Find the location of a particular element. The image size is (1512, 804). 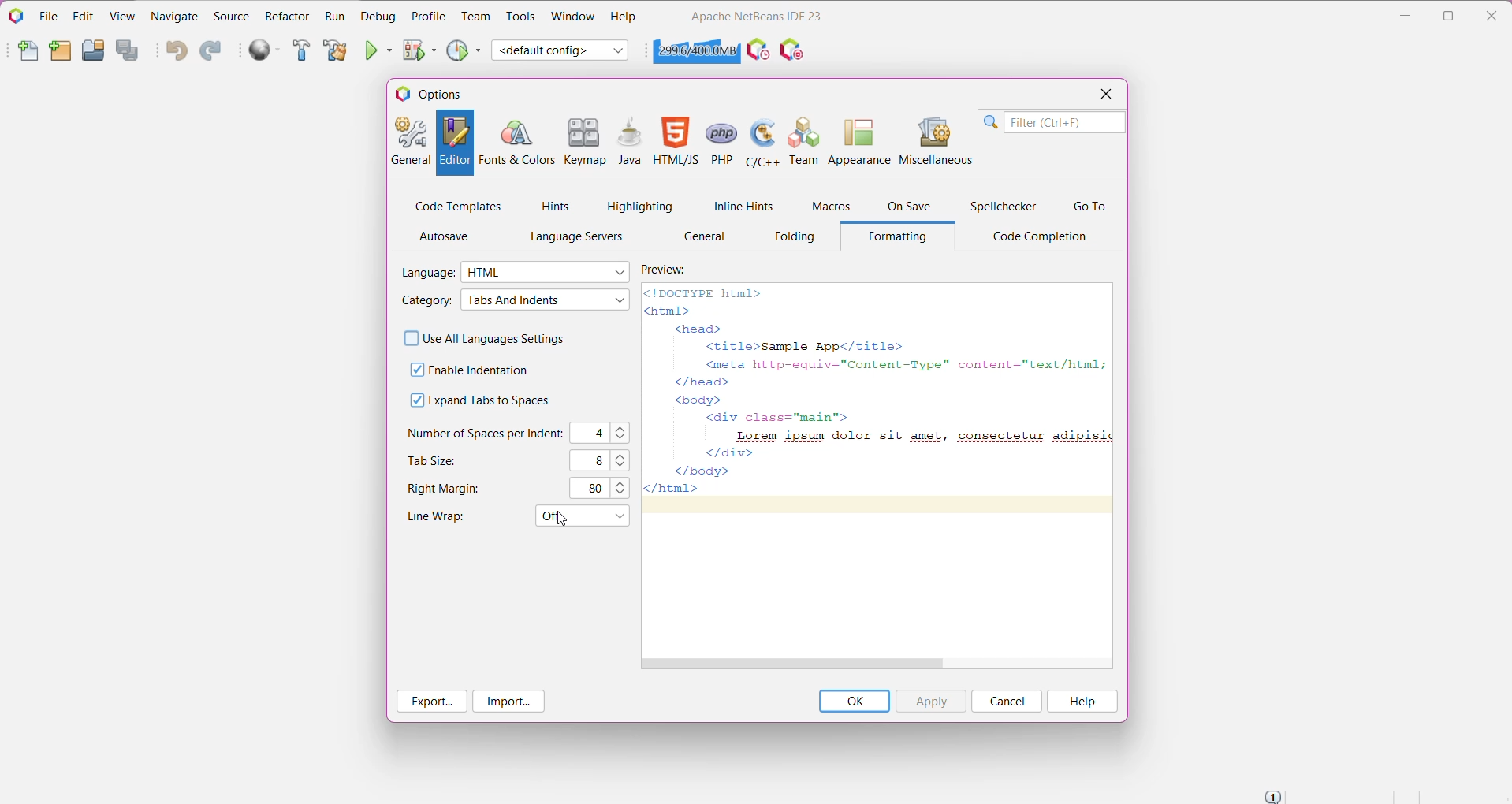

Run is located at coordinates (334, 17).